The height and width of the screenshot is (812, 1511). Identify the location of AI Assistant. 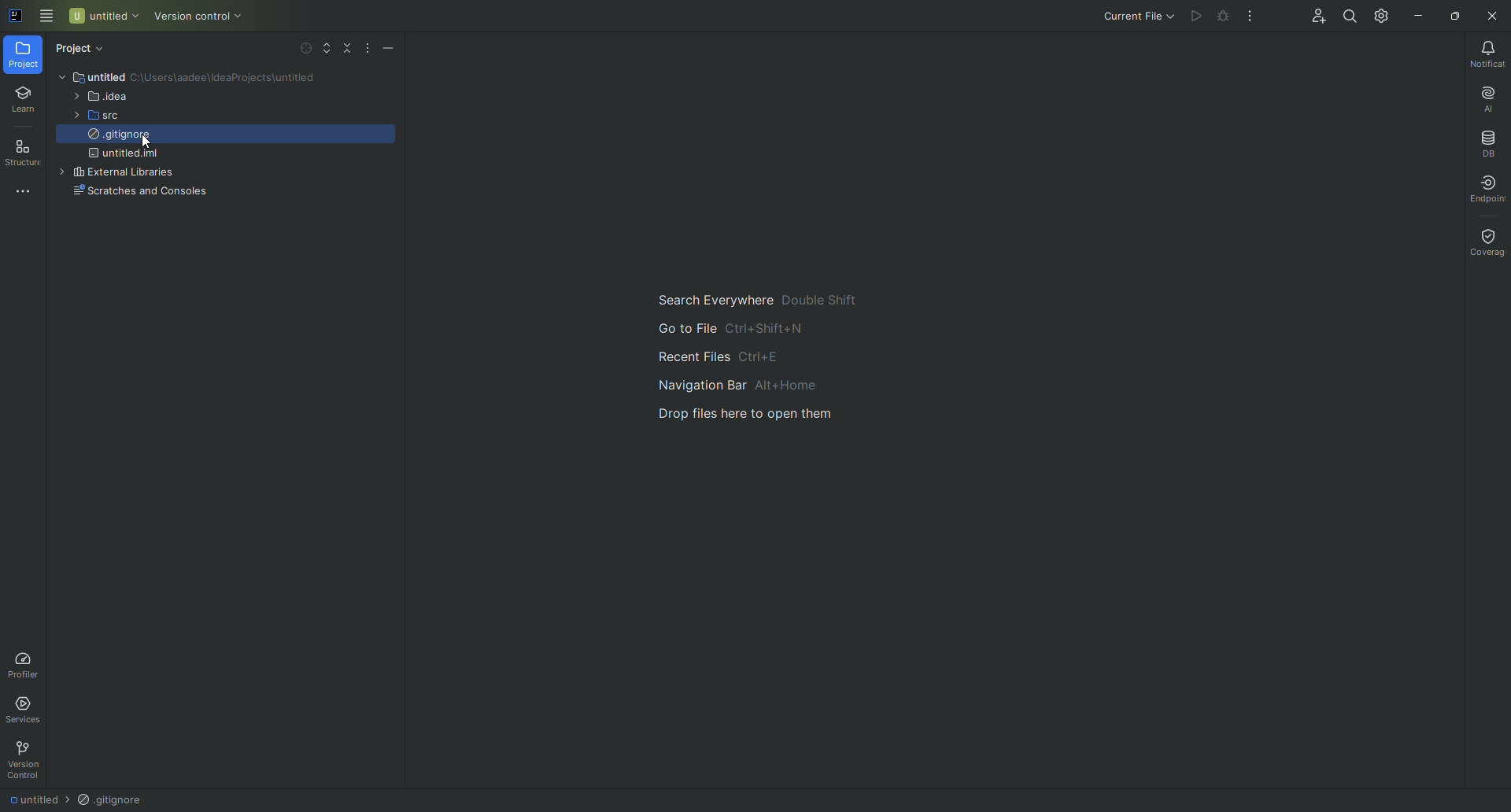
(1486, 98).